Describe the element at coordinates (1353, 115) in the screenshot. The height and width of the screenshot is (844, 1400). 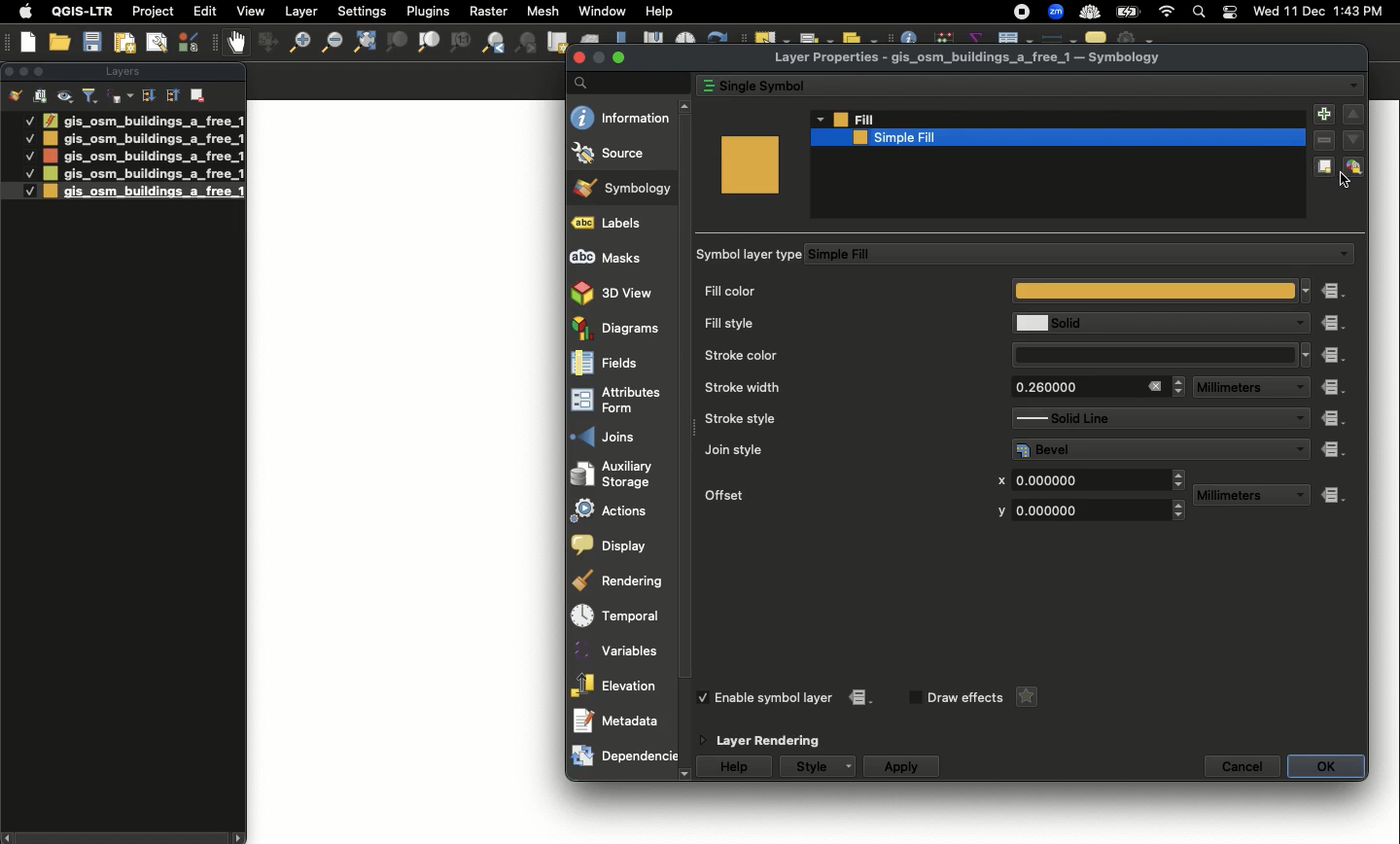
I see `up` at that location.